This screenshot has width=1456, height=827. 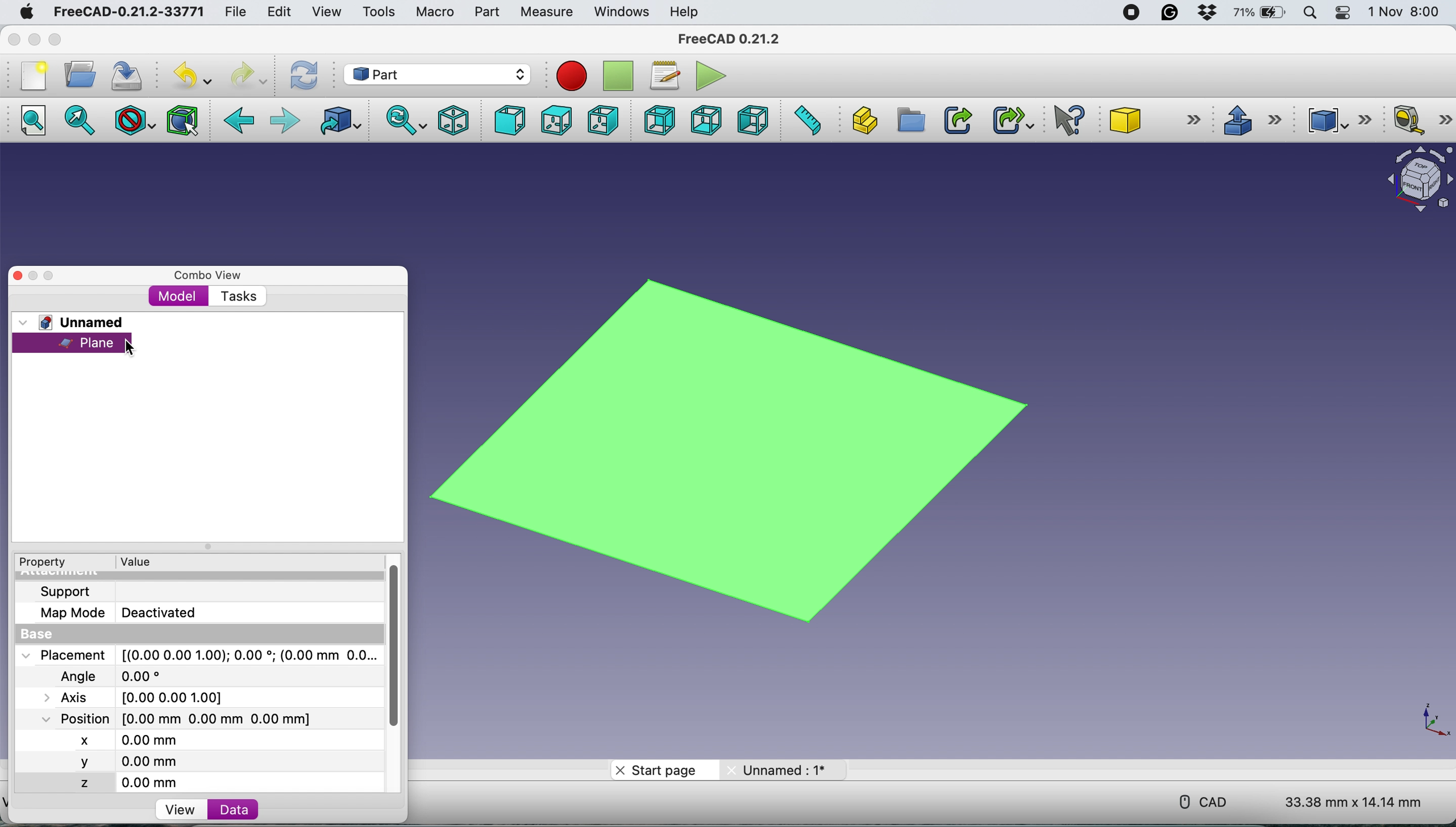 I want to click on vertical scroll bar, so click(x=396, y=645).